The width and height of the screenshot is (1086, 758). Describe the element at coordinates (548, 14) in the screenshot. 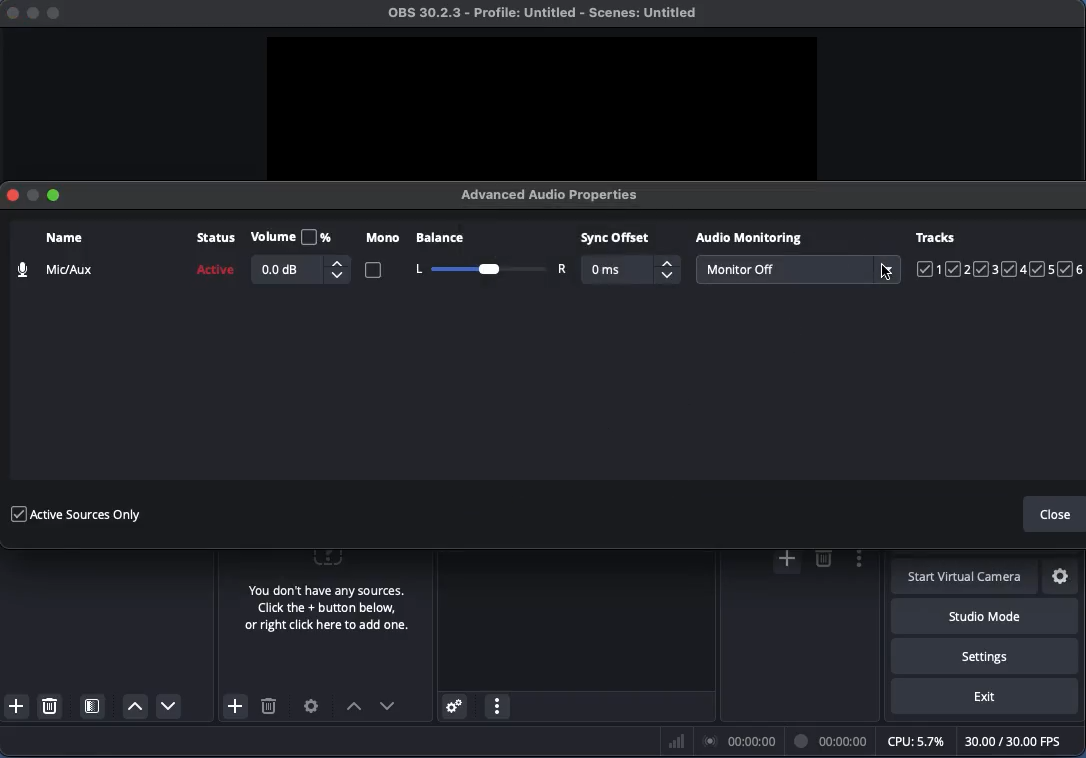

I see `Project name` at that location.